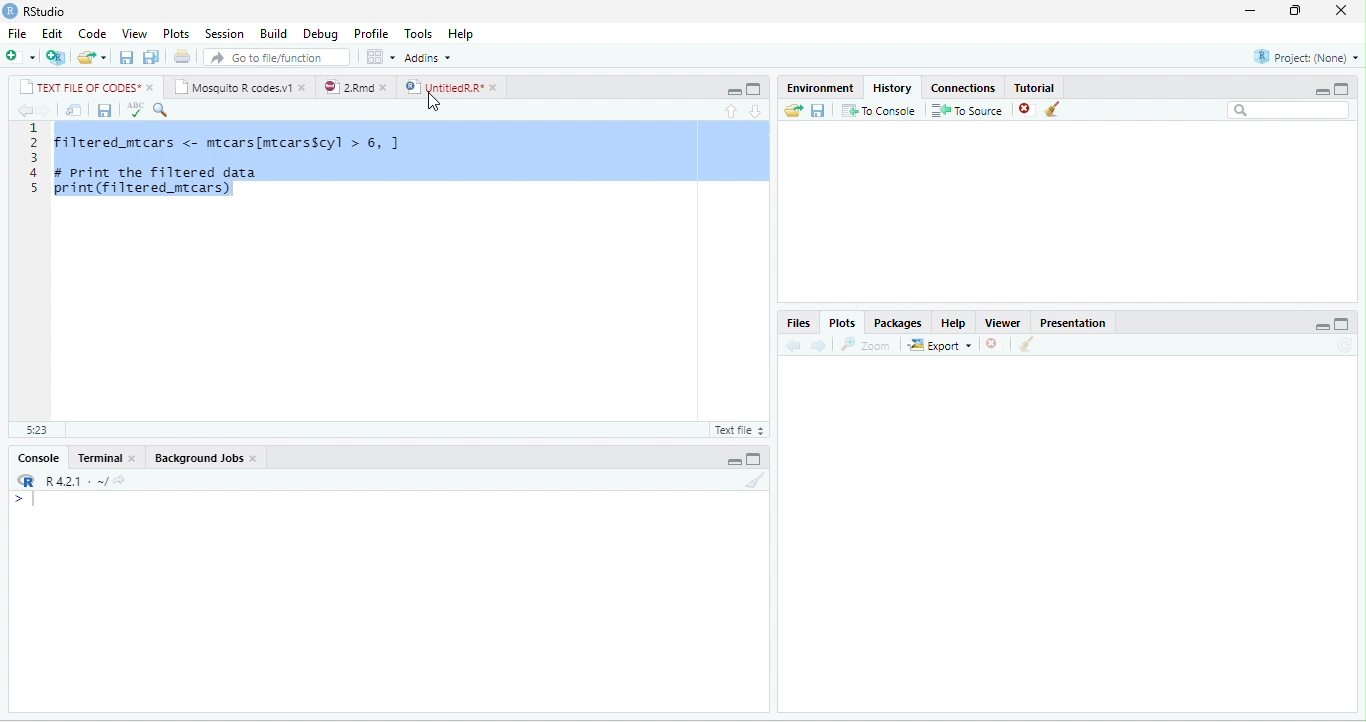 This screenshot has height=722, width=1366. Describe the element at coordinates (418, 34) in the screenshot. I see `Tools` at that location.